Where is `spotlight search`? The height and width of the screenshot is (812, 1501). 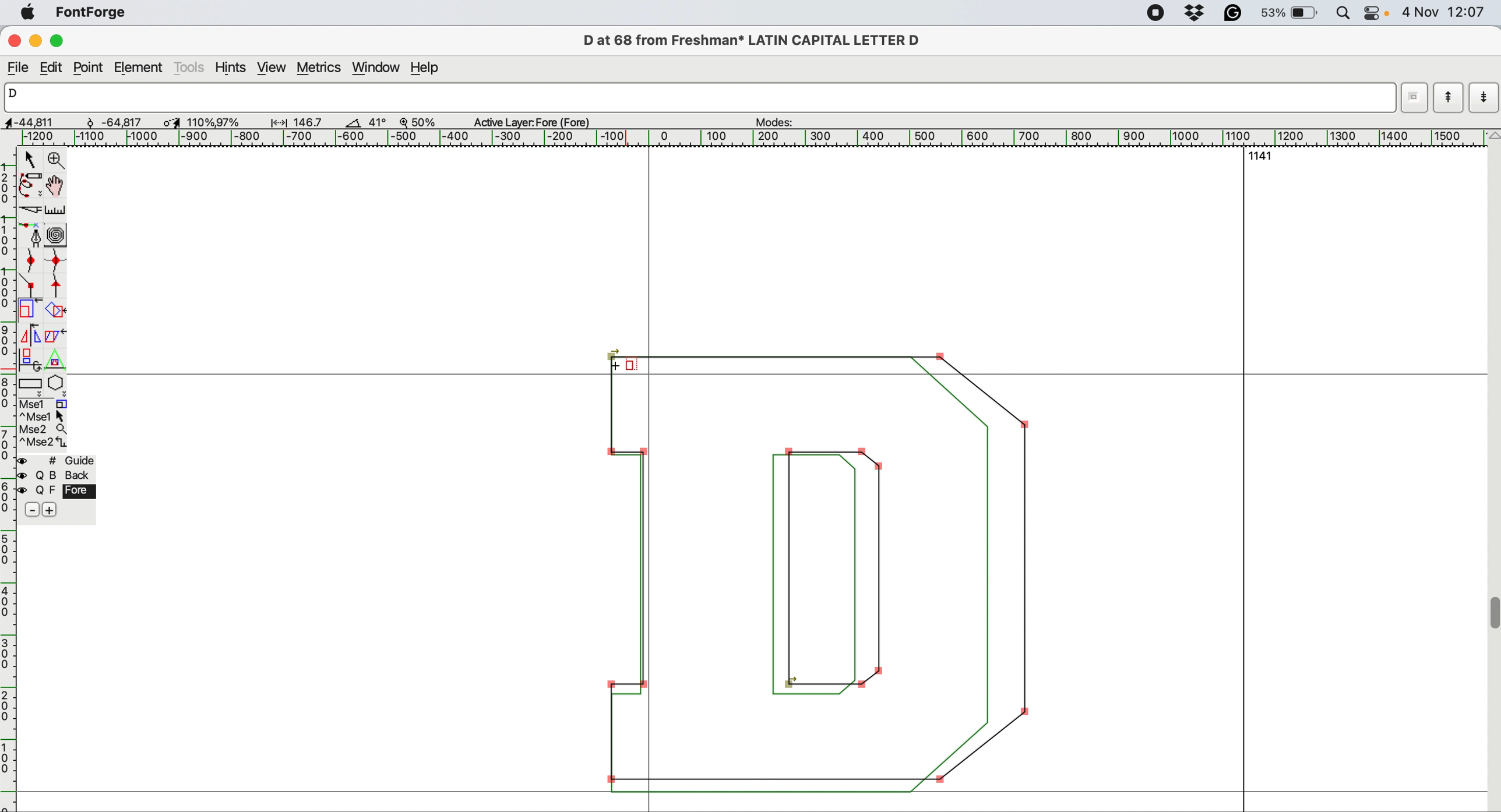
spotlight search is located at coordinates (1343, 13).